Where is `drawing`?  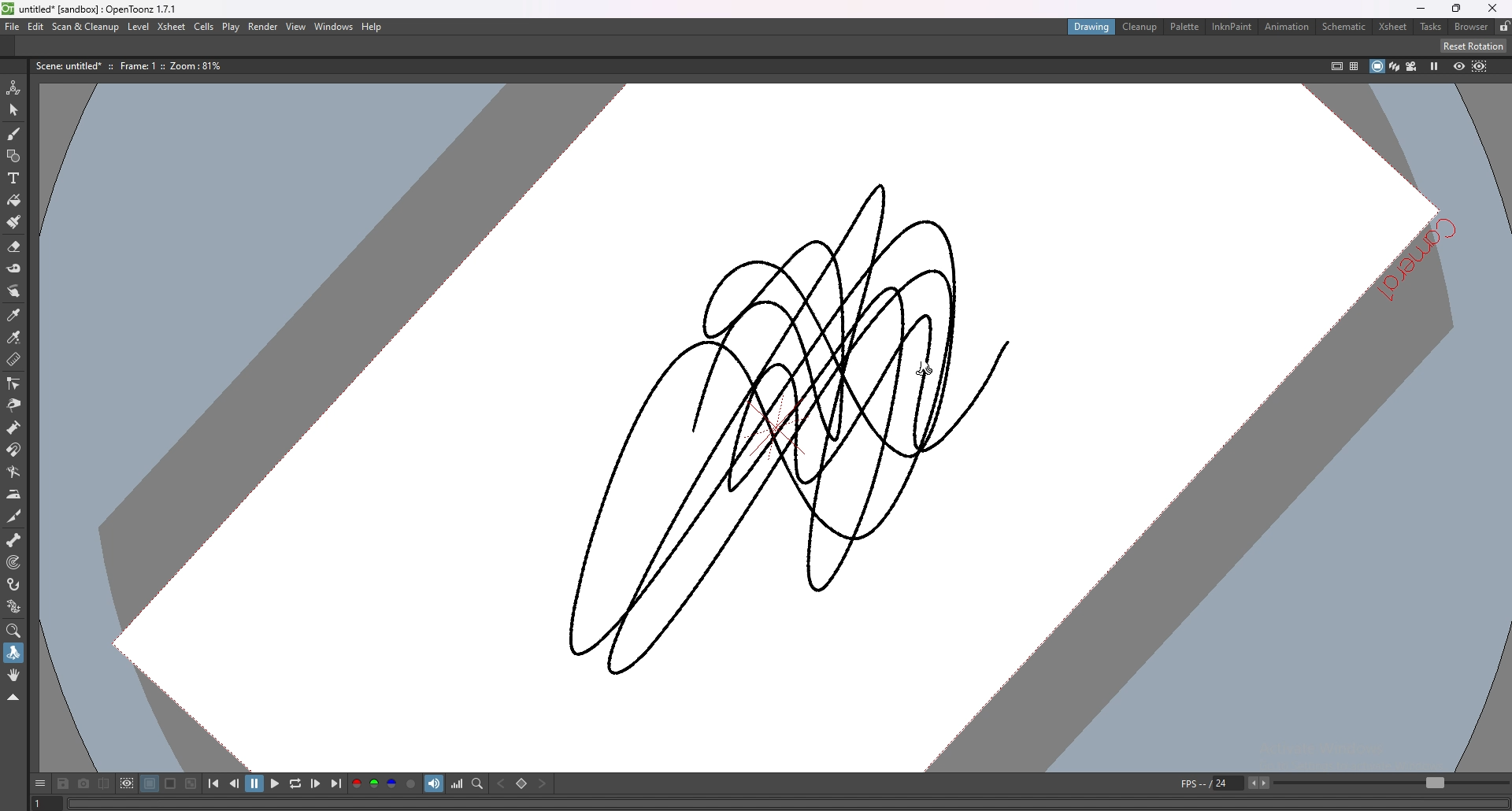
drawing is located at coordinates (780, 420).